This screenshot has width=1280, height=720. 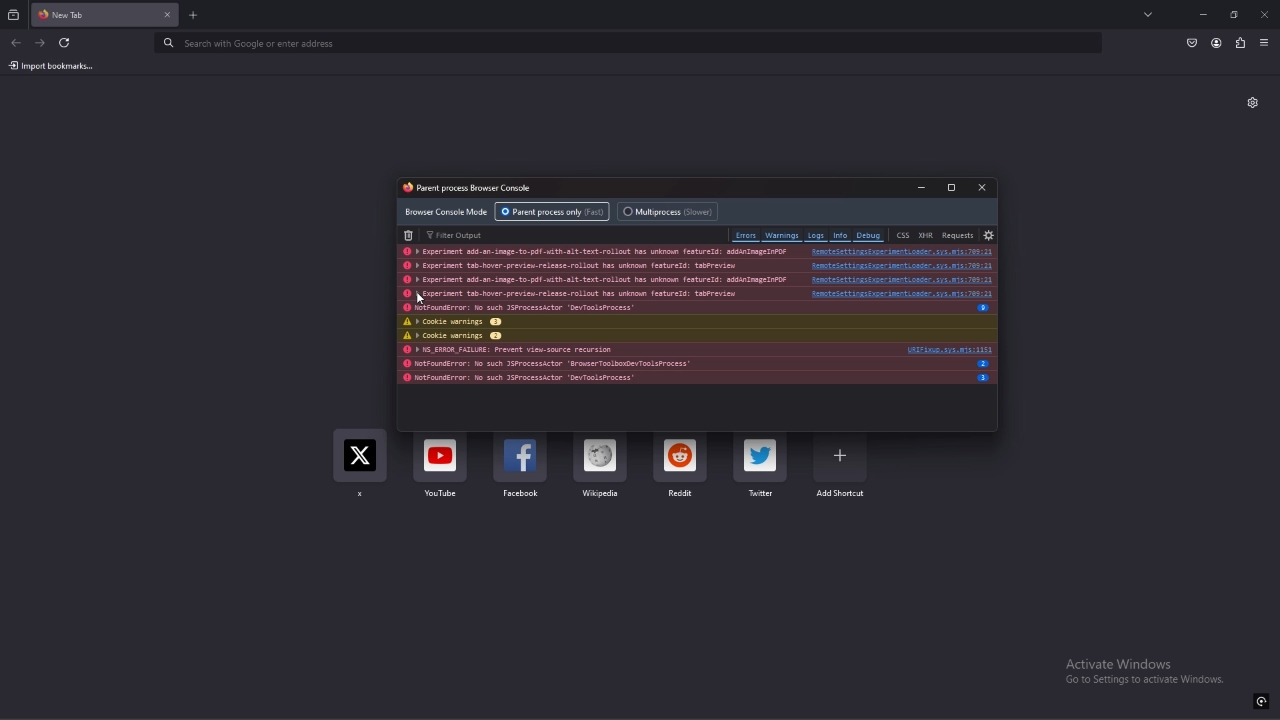 I want to click on filter output, so click(x=457, y=234).